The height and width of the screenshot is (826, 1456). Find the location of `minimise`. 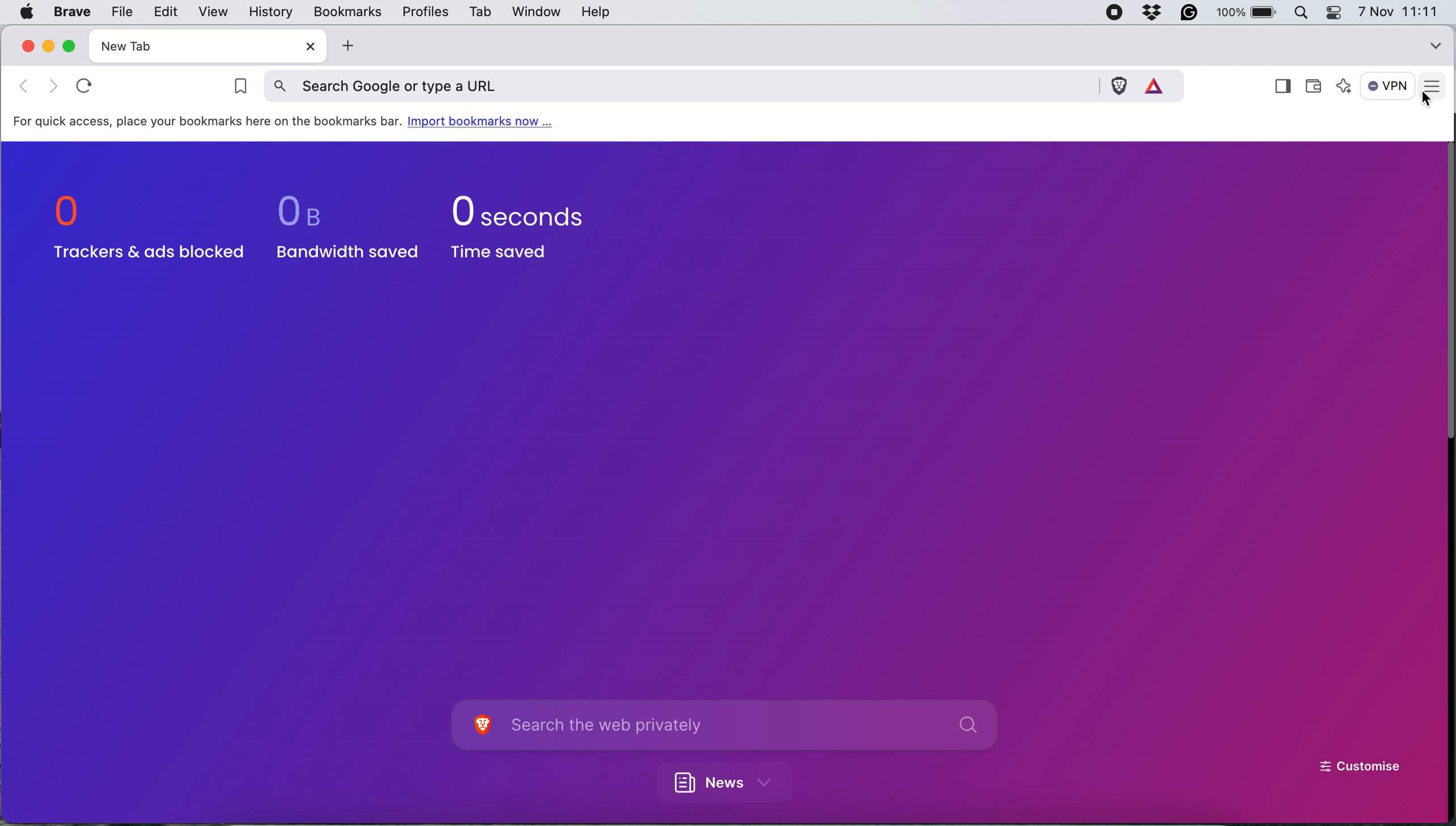

minimise is located at coordinates (49, 45).